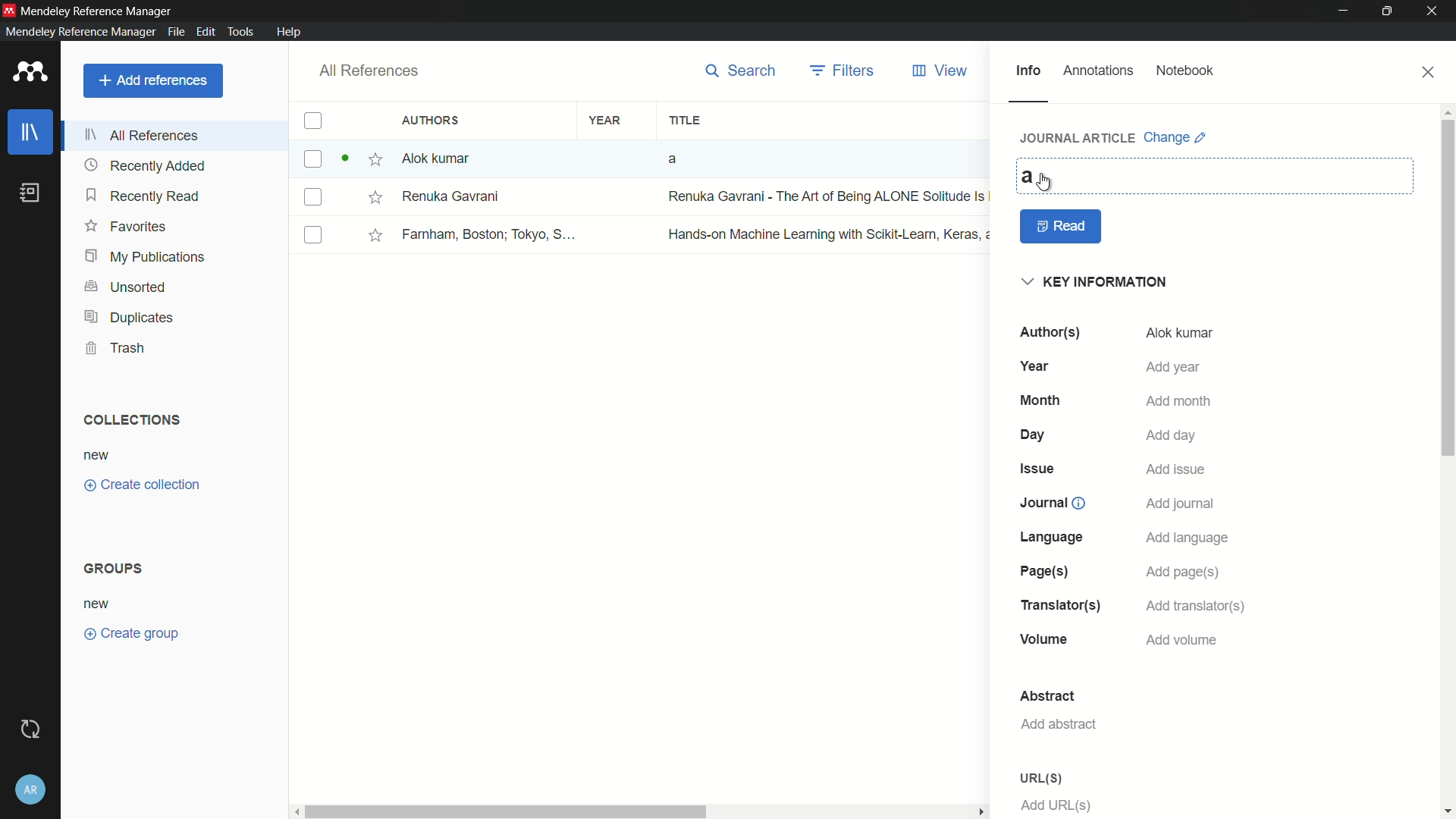 This screenshot has height=819, width=1456. I want to click on title, so click(684, 121).